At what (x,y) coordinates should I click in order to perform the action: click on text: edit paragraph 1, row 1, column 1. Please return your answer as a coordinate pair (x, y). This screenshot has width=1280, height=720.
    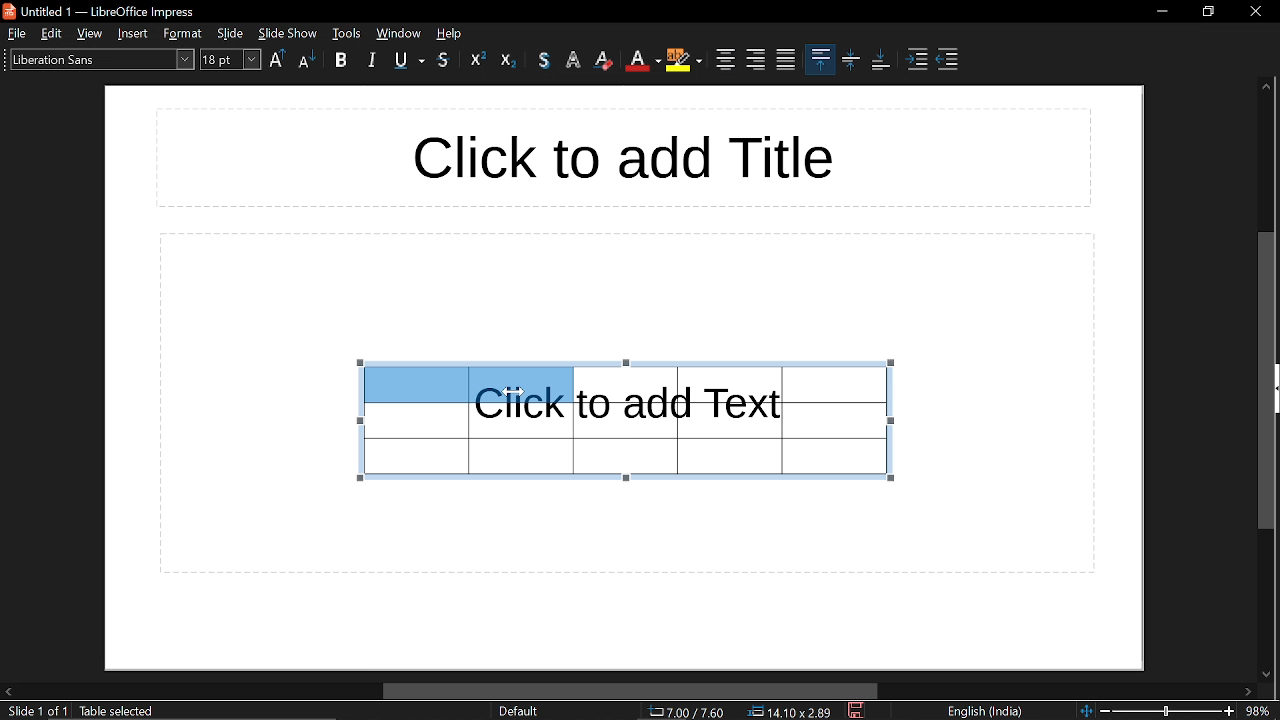
    Looking at the image, I should click on (186, 712).